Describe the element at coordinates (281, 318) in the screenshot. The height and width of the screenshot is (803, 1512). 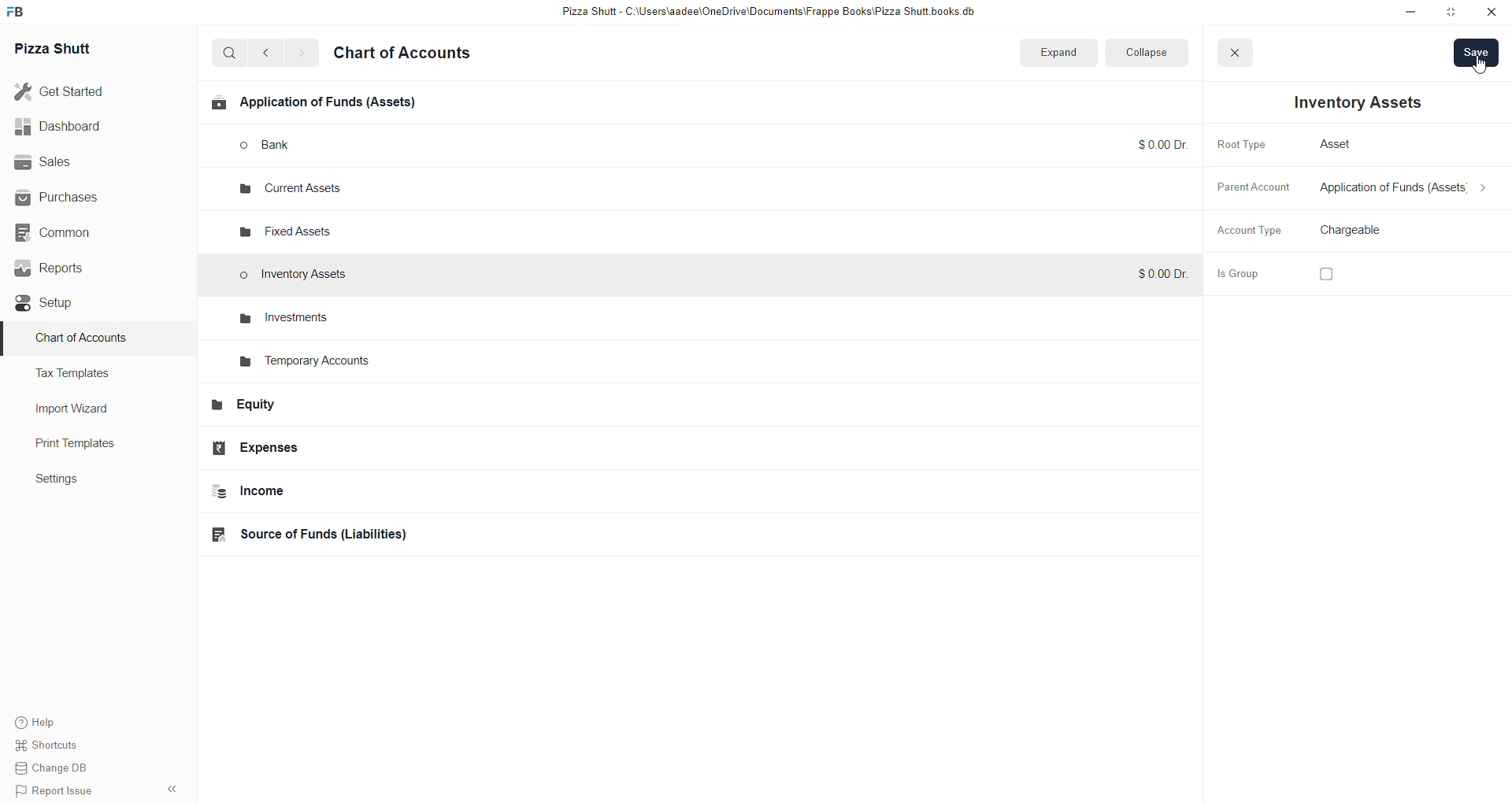
I see `investments ` at that location.